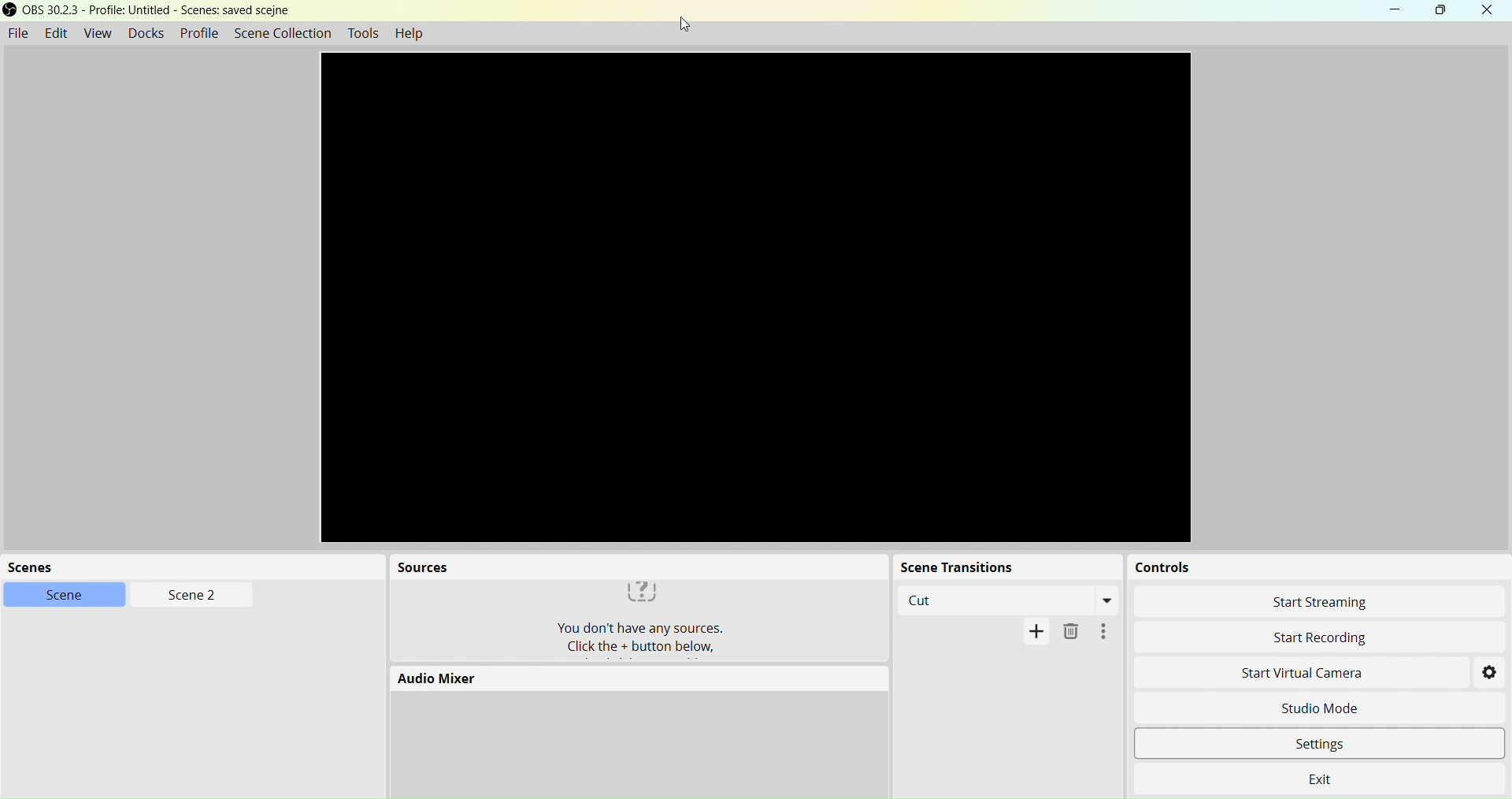 Image resolution: width=1512 pixels, height=799 pixels. Describe the element at coordinates (1007, 600) in the screenshot. I see `Cut` at that location.